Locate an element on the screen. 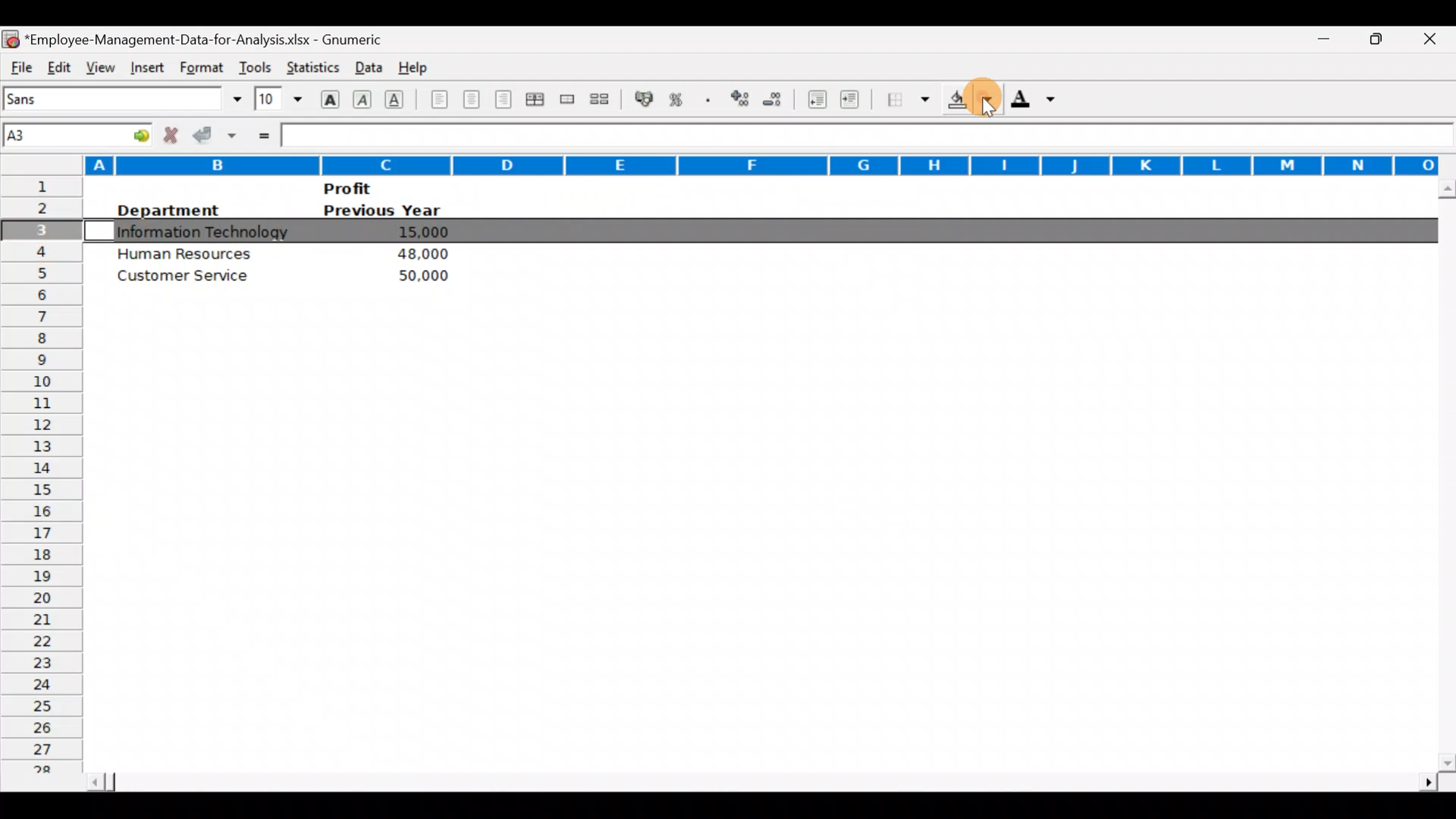 Image resolution: width=1456 pixels, height=819 pixels. Format selection as accounting is located at coordinates (645, 97).